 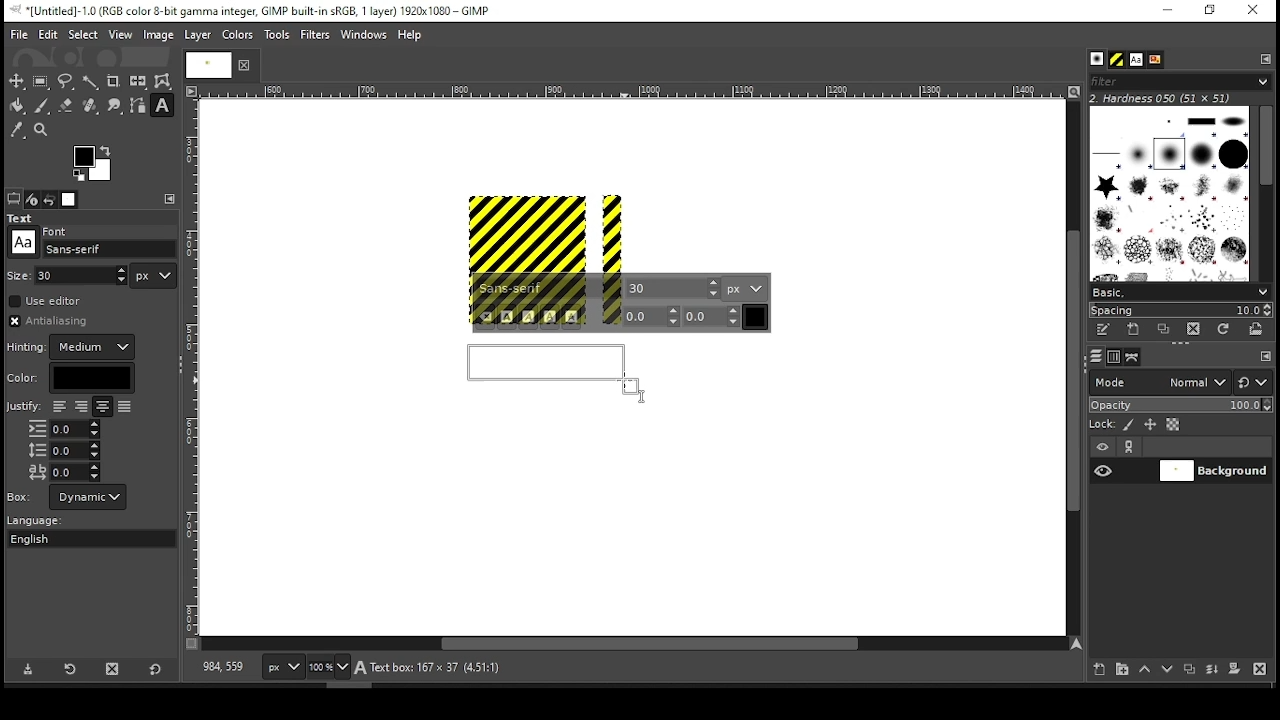 What do you see at coordinates (88, 497) in the screenshot?
I see `box ` at bounding box center [88, 497].